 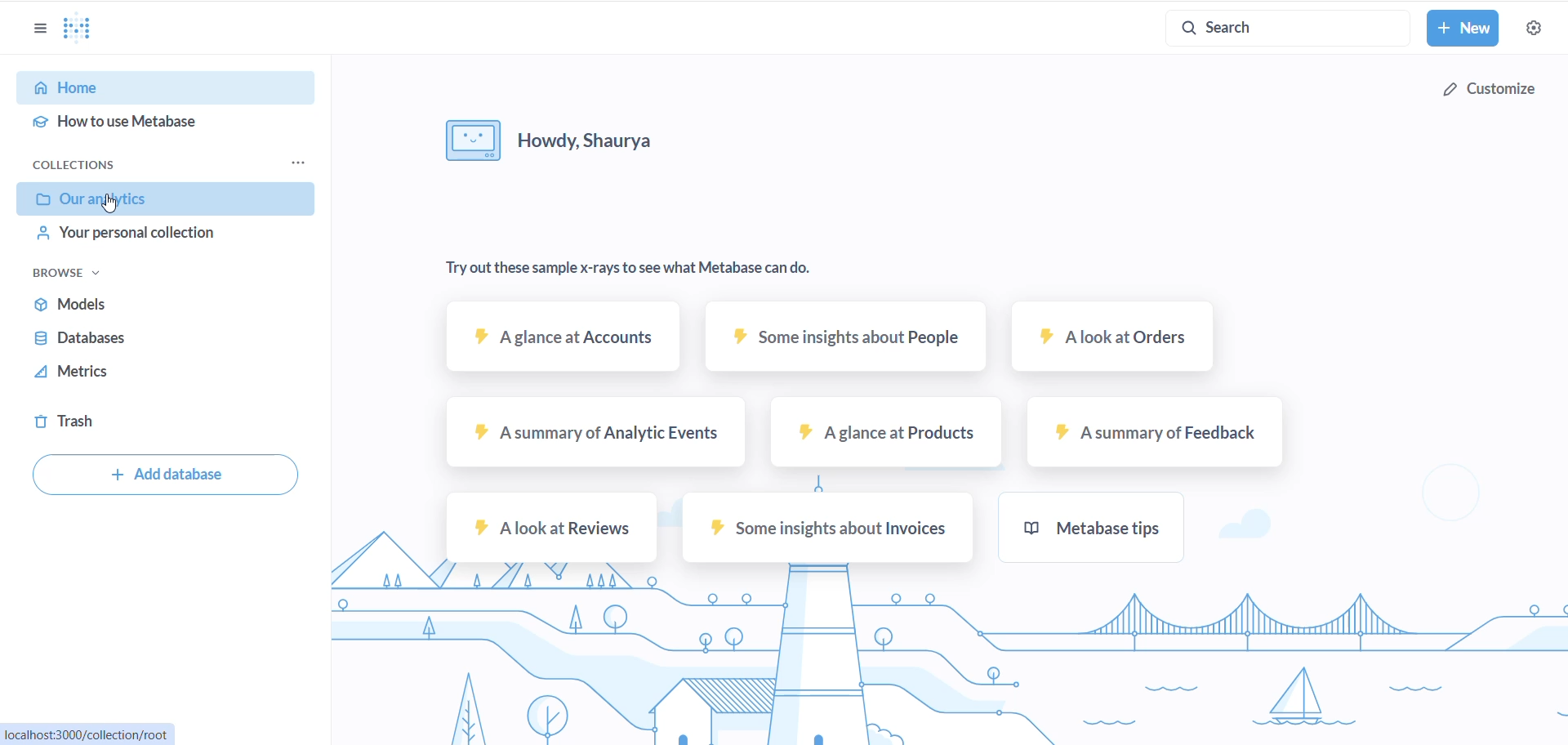 What do you see at coordinates (164, 89) in the screenshot?
I see `home` at bounding box center [164, 89].